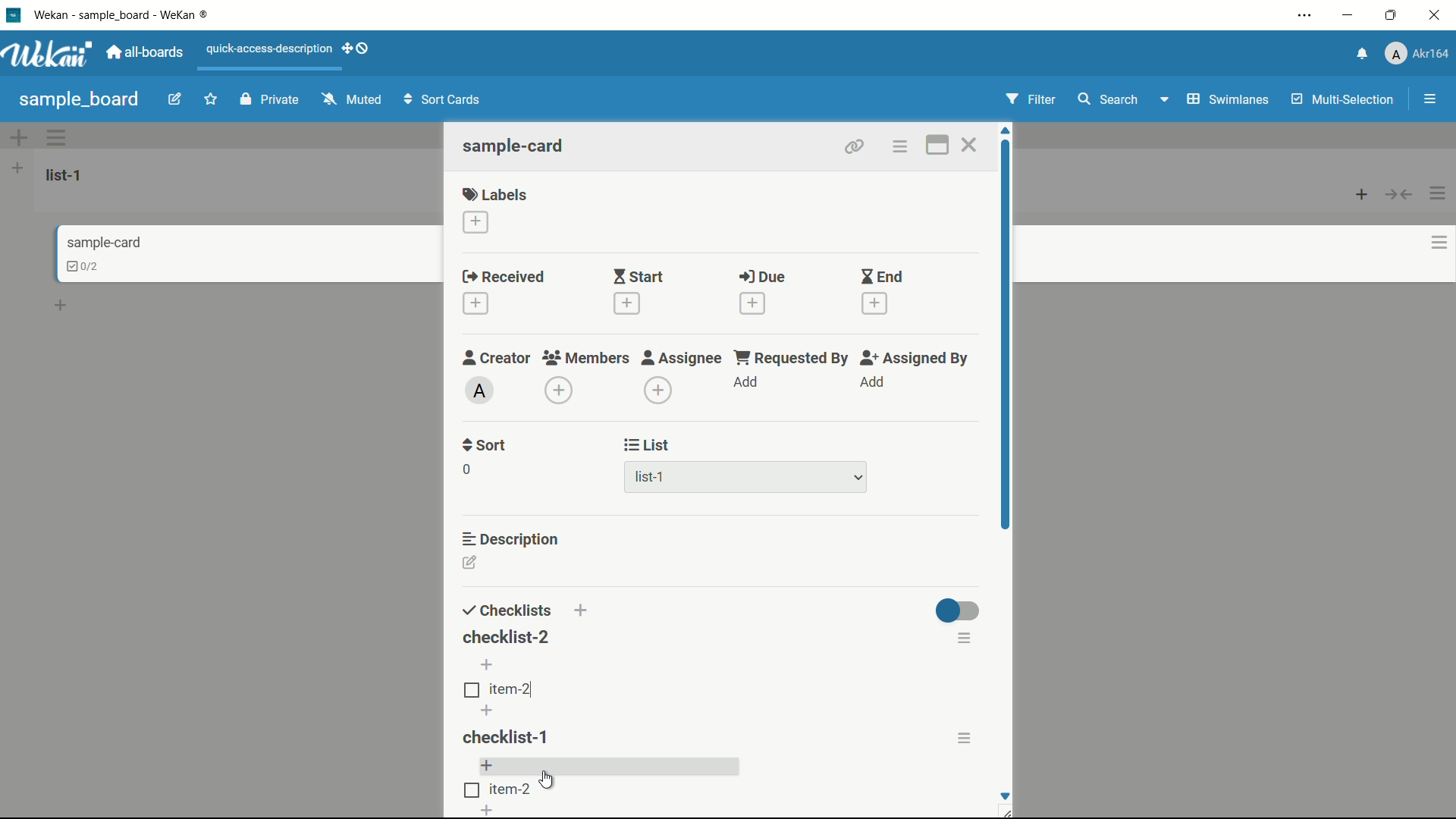 This screenshot has height=819, width=1456. Describe the element at coordinates (916, 358) in the screenshot. I see `assigned by` at that location.